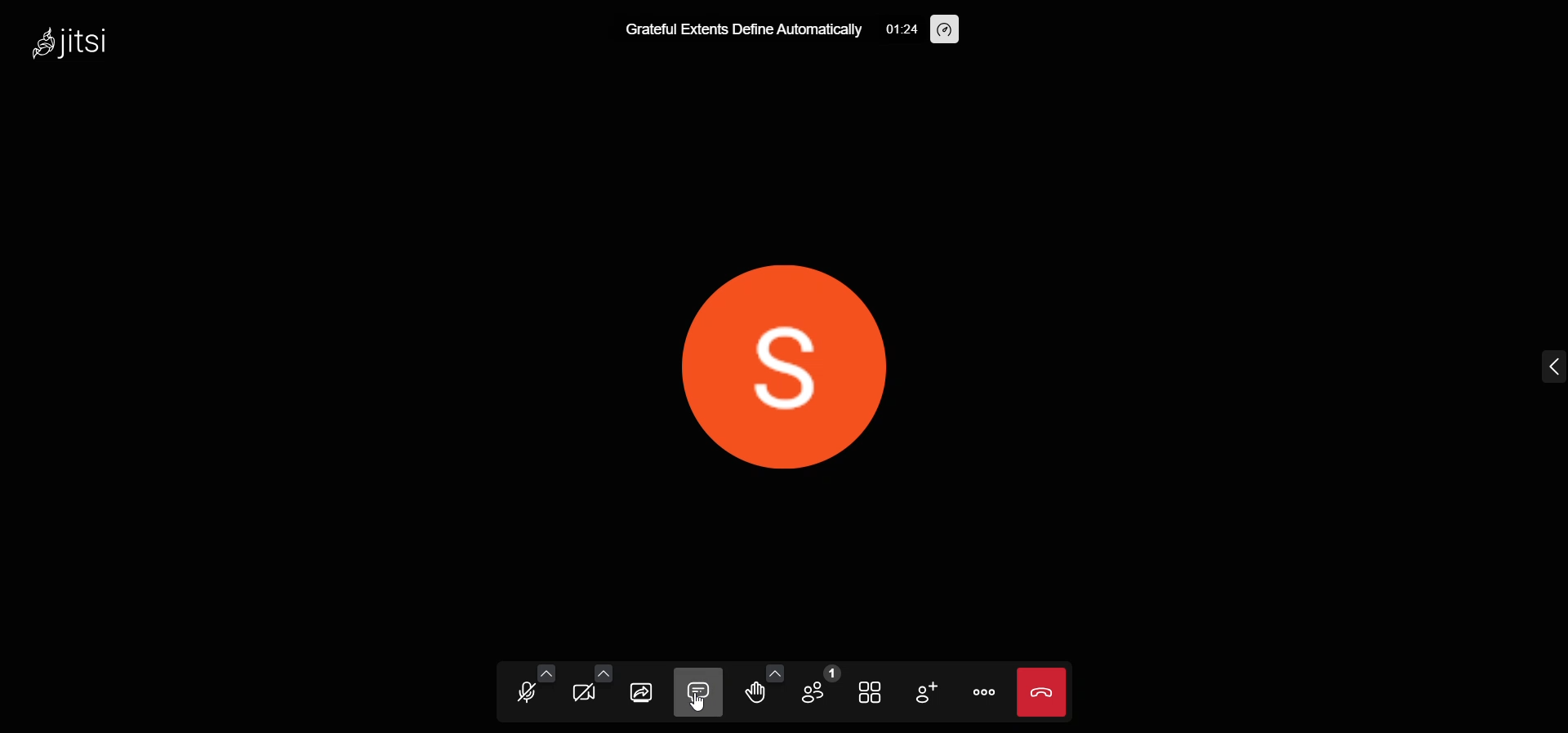 This screenshot has width=1568, height=733. Describe the element at coordinates (596, 673) in the screenshot. I see `video setting` at that location.